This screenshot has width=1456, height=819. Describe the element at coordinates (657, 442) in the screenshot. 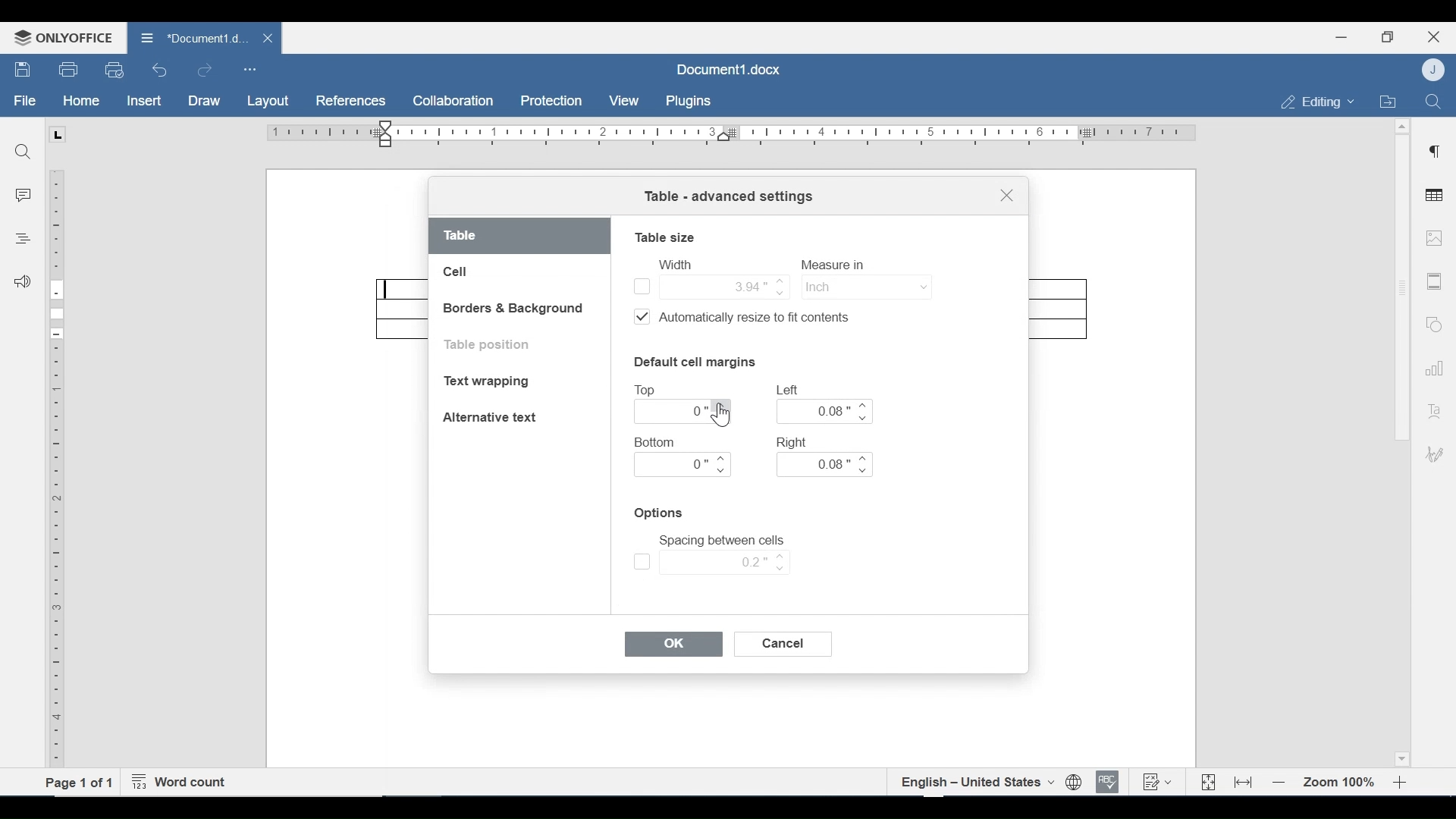

I see `Bottom` at that location.